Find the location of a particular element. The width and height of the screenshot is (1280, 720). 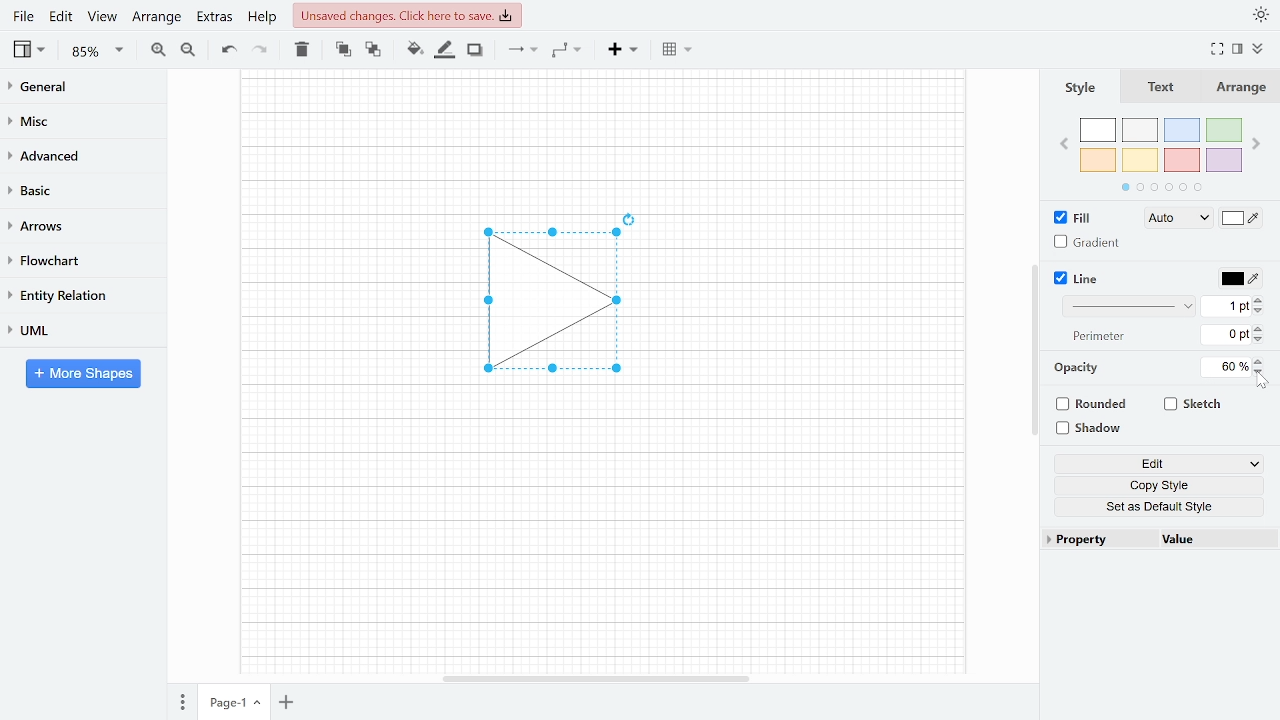

Gradient is located at coordinates (1088, 242).